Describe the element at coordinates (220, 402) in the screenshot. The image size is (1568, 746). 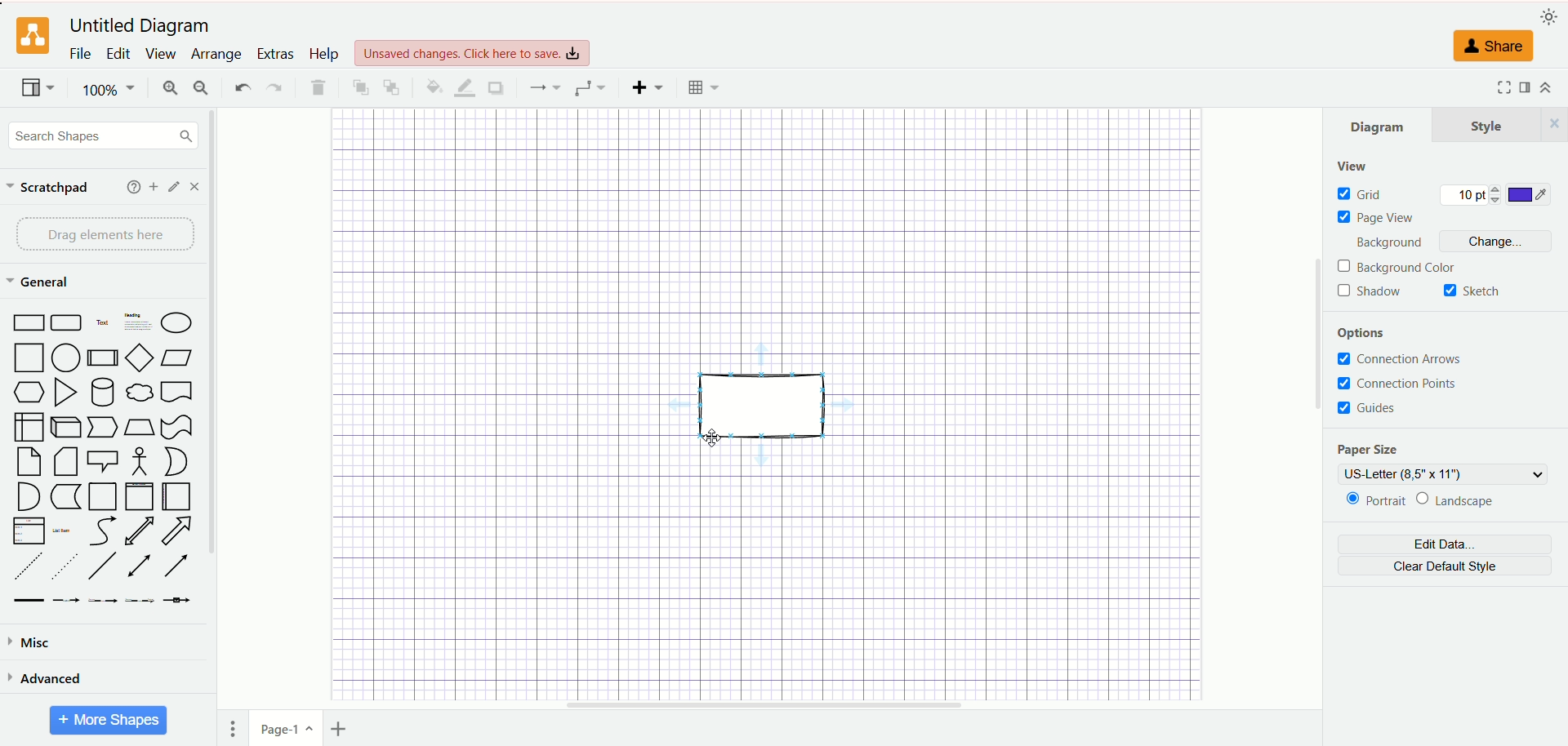
I see `vertical scroll bar` at that location.